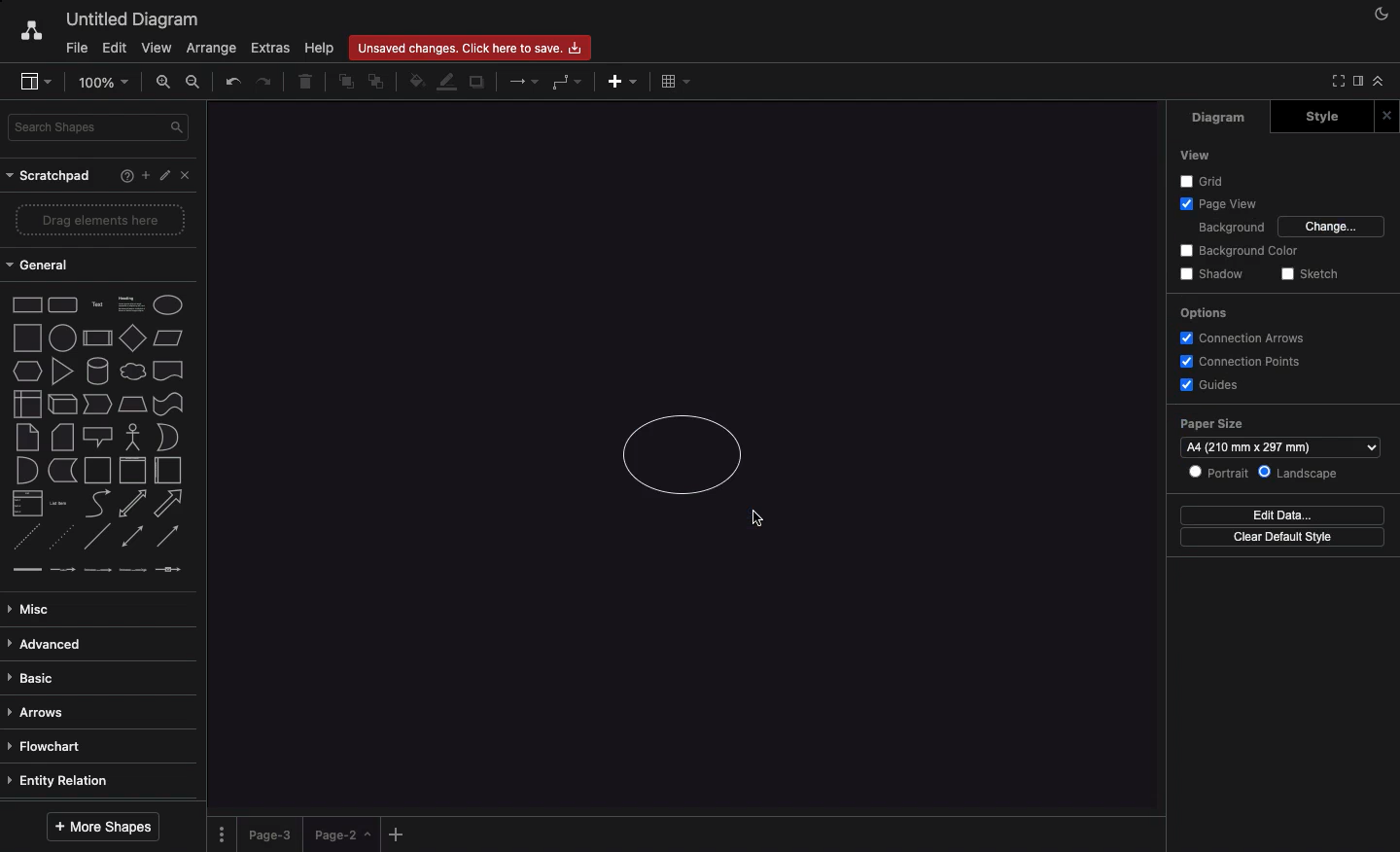 The width and height of the screenshot is (1400, 852). What do you see at coordinates (1356, 82) in the screenshot?
I see `Sidebar` at bounding box center [1356, 82].